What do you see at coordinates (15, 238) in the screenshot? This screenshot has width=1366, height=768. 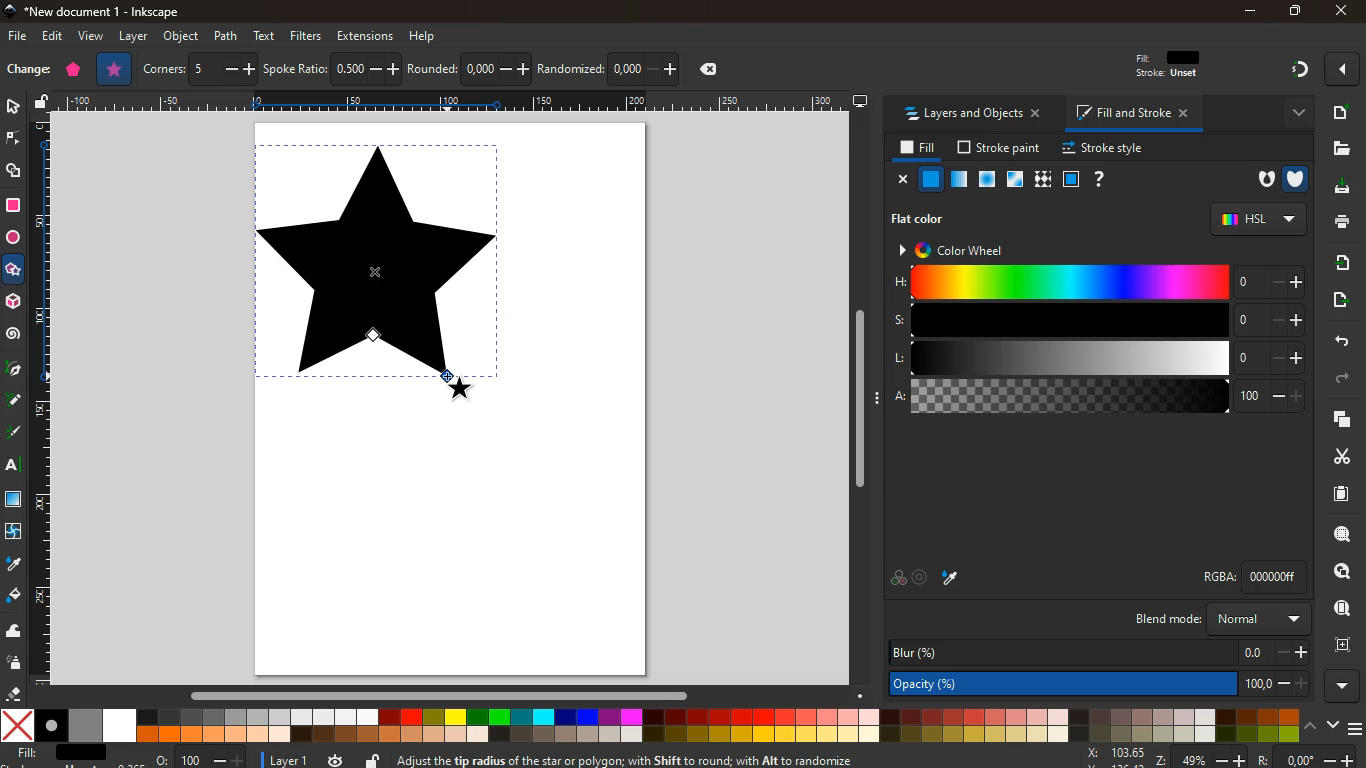 I see `circle` at bounding box center [15, 238].